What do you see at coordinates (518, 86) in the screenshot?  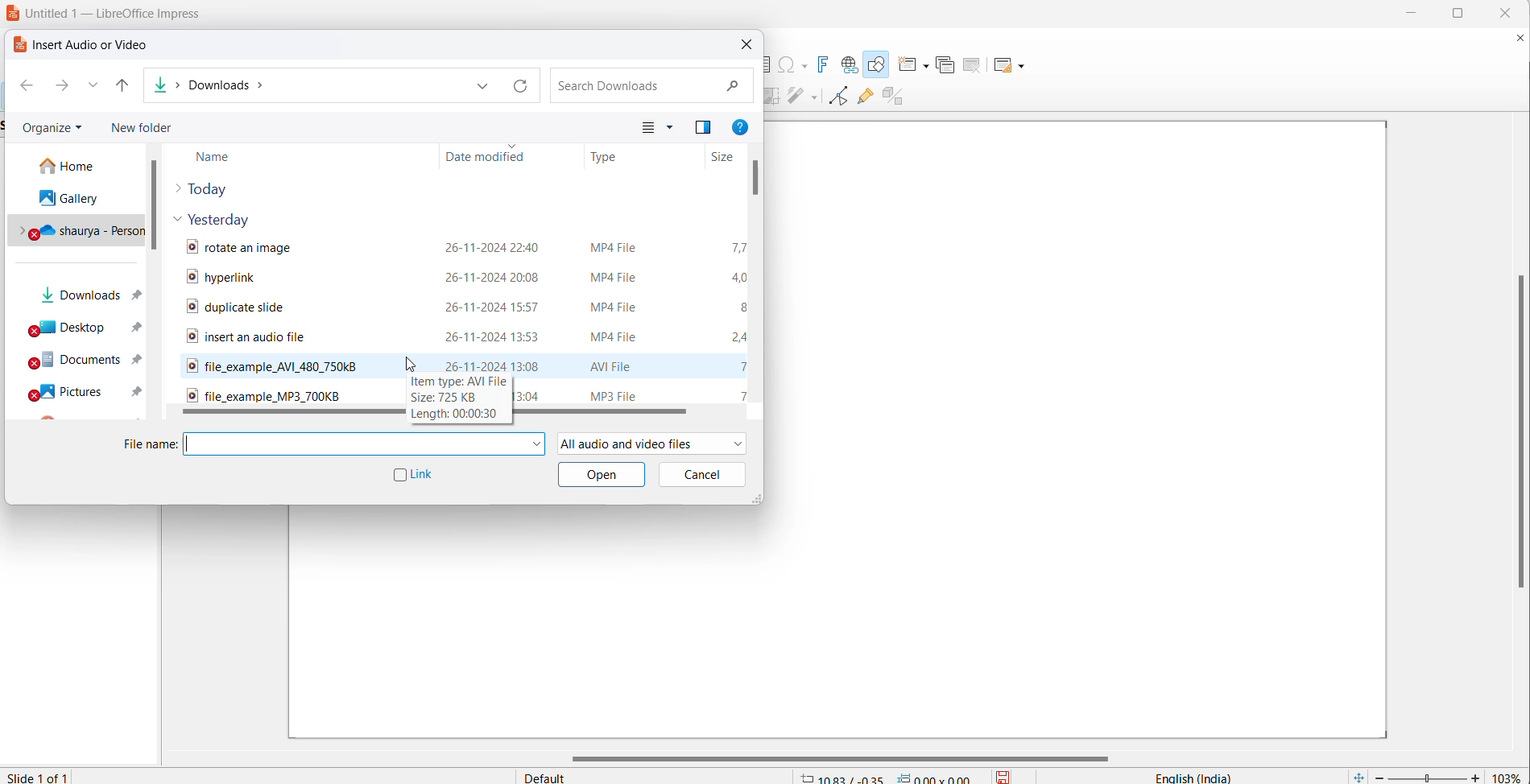 I see `path refresh` at bounding box center [518, 86].